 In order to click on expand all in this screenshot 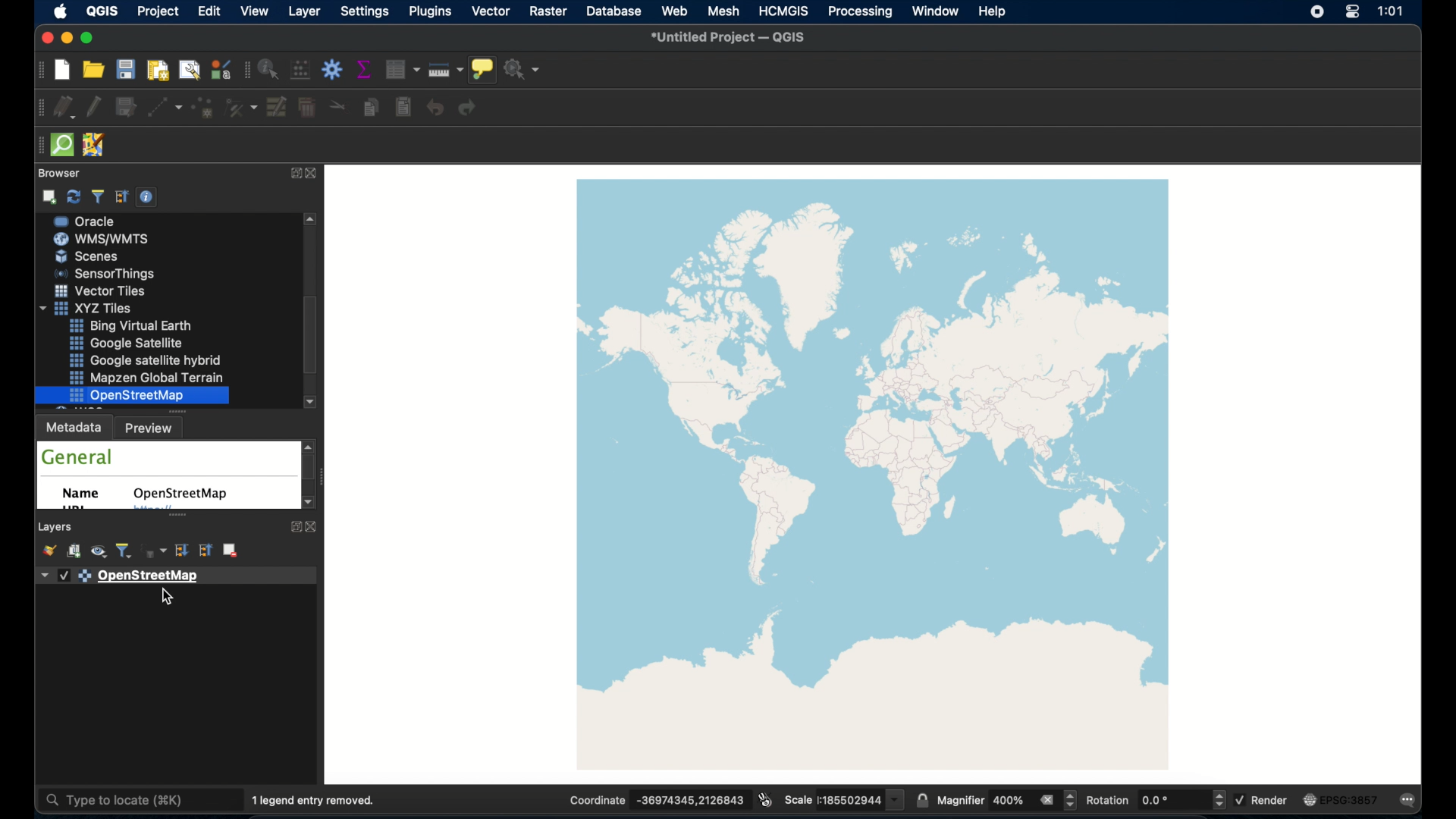, I will do `click(182, 551)`.